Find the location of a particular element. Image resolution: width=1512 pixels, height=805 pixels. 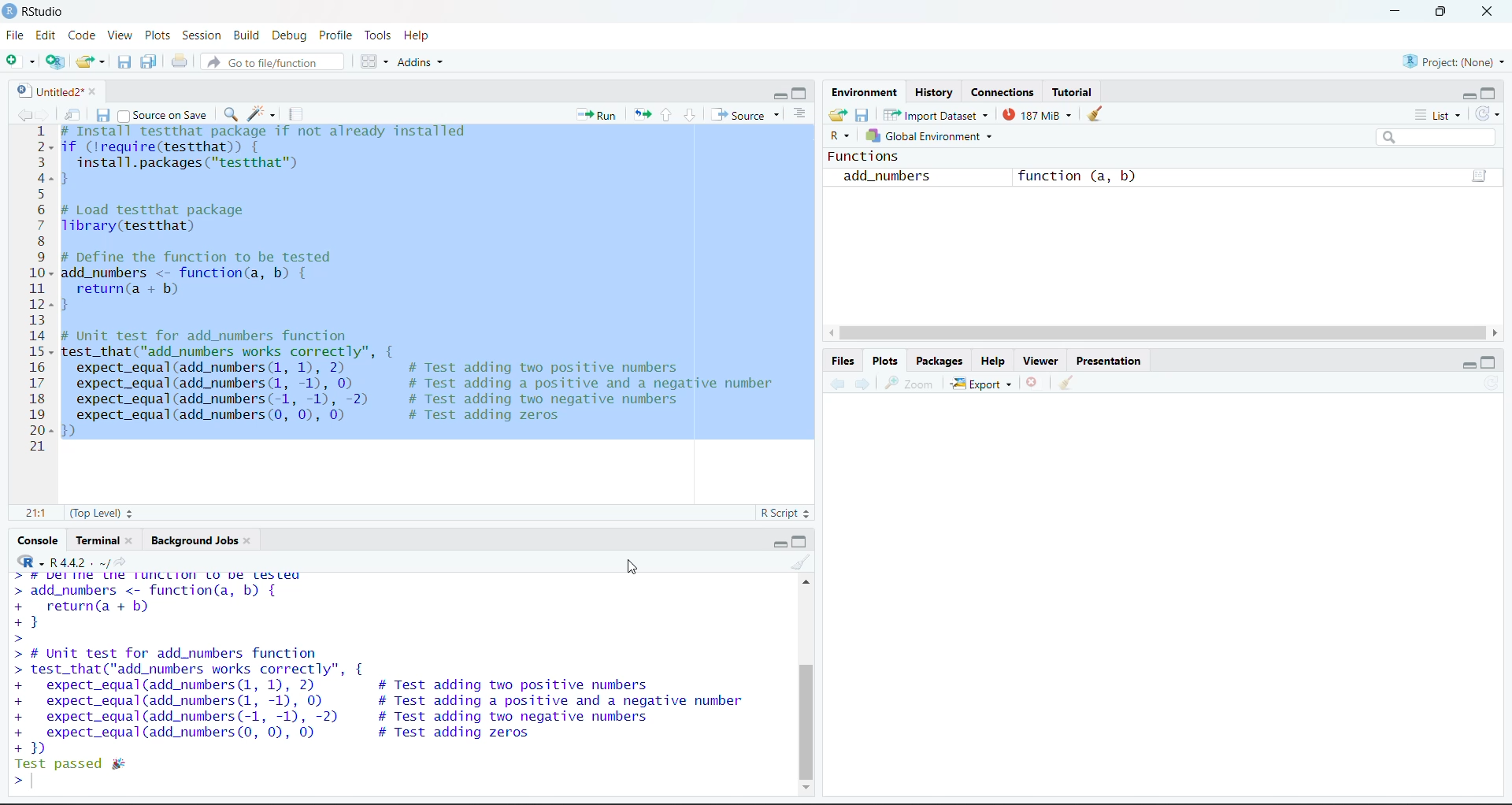

Load workspace is located at coordinates (837, 117).